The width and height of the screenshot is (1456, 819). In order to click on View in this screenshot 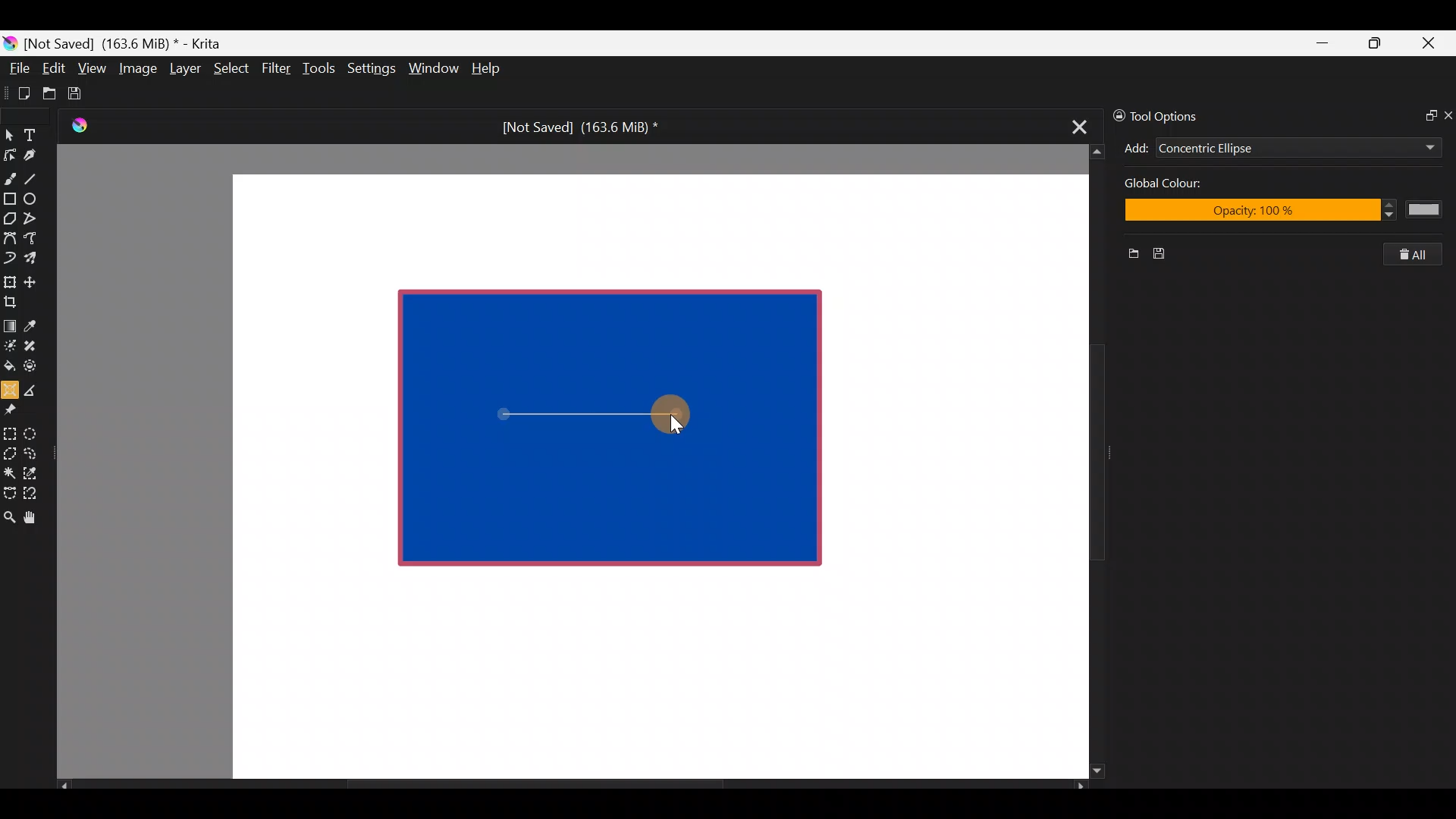, I will do `click(93, 68)`.